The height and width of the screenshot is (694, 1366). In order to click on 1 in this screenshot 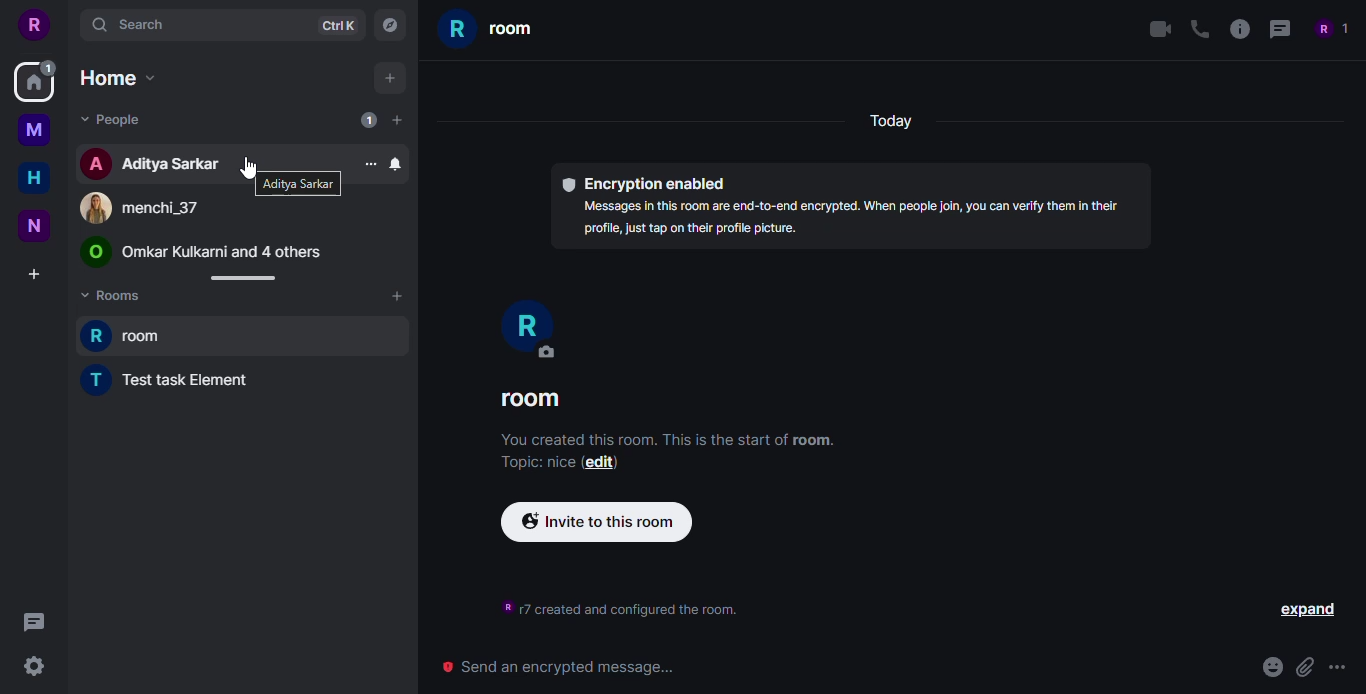, I will do `click(369, 120)`.